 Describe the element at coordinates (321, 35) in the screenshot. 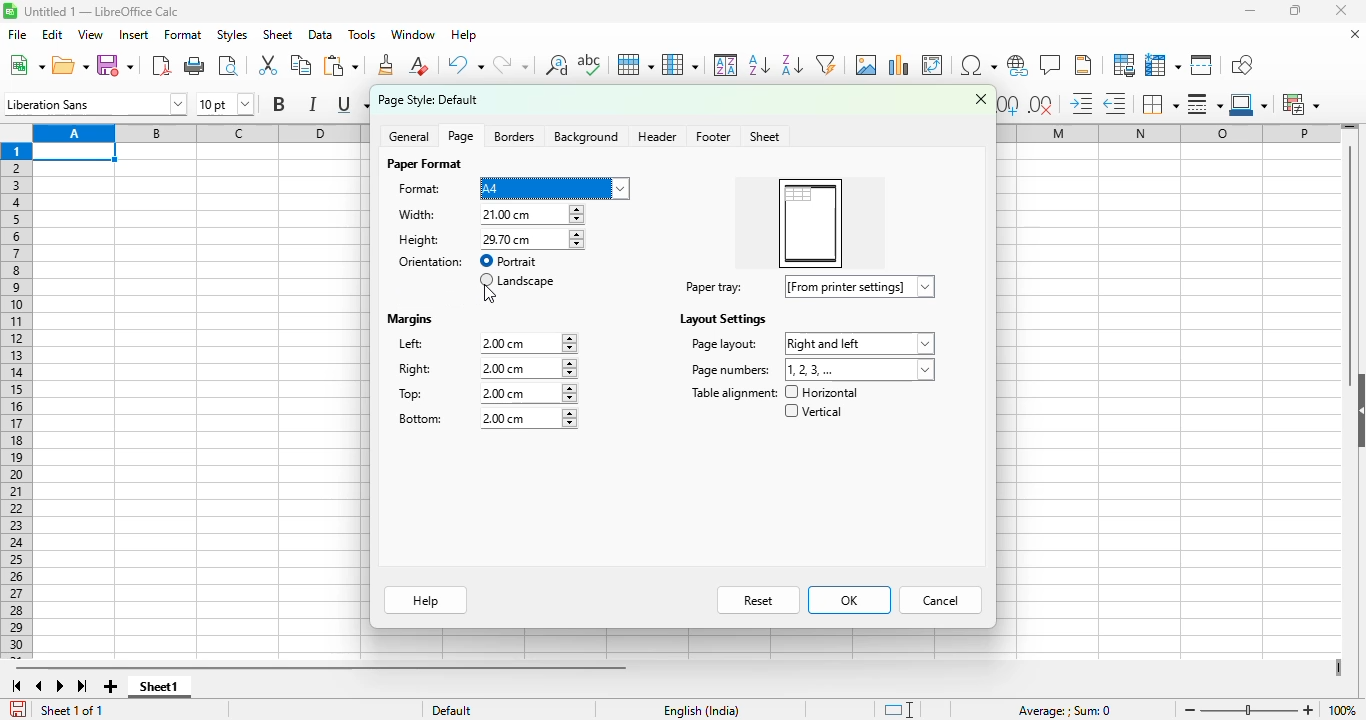

I see `data` at that location.